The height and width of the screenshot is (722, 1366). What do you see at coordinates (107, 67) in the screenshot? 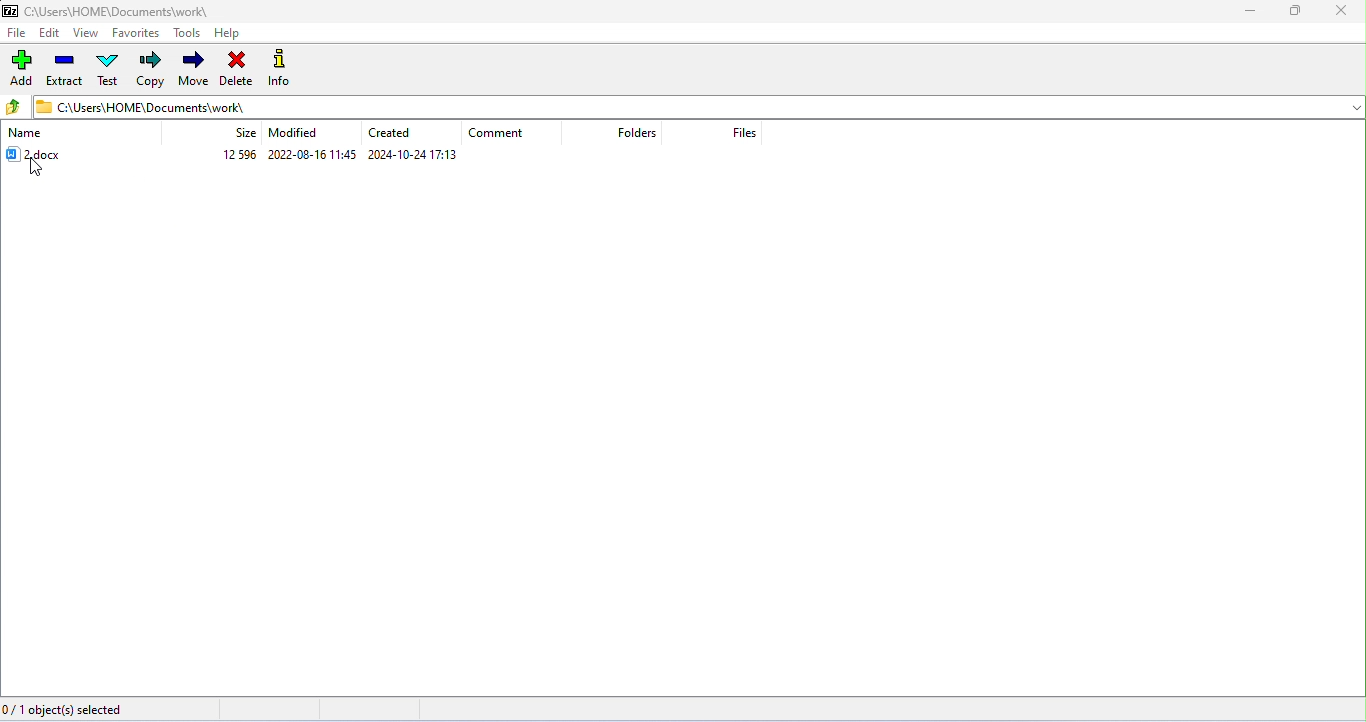
I see `text` at bounding box center [107, 67].